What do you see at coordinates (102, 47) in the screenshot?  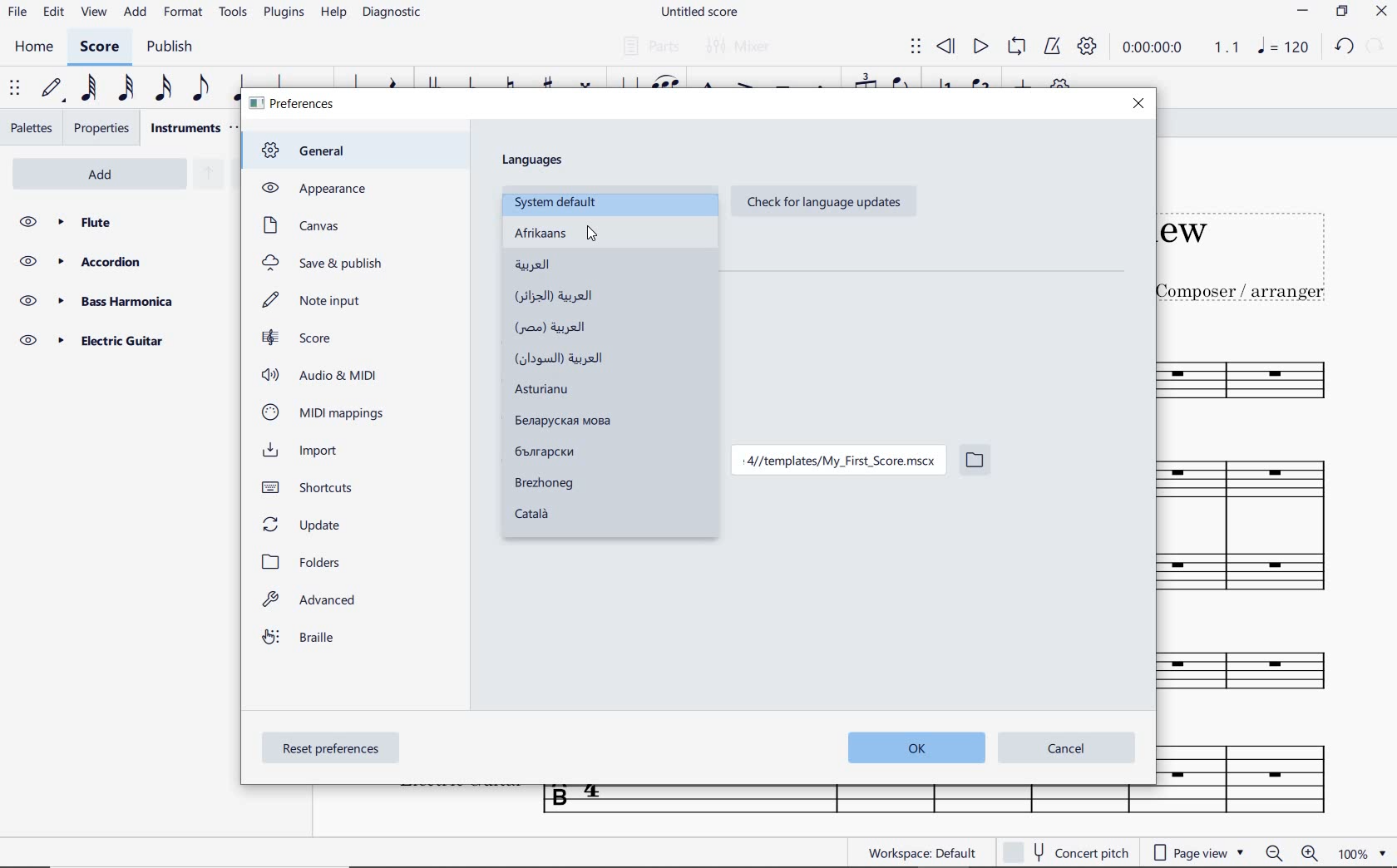 I see `score` at bounding box center [102, 47].